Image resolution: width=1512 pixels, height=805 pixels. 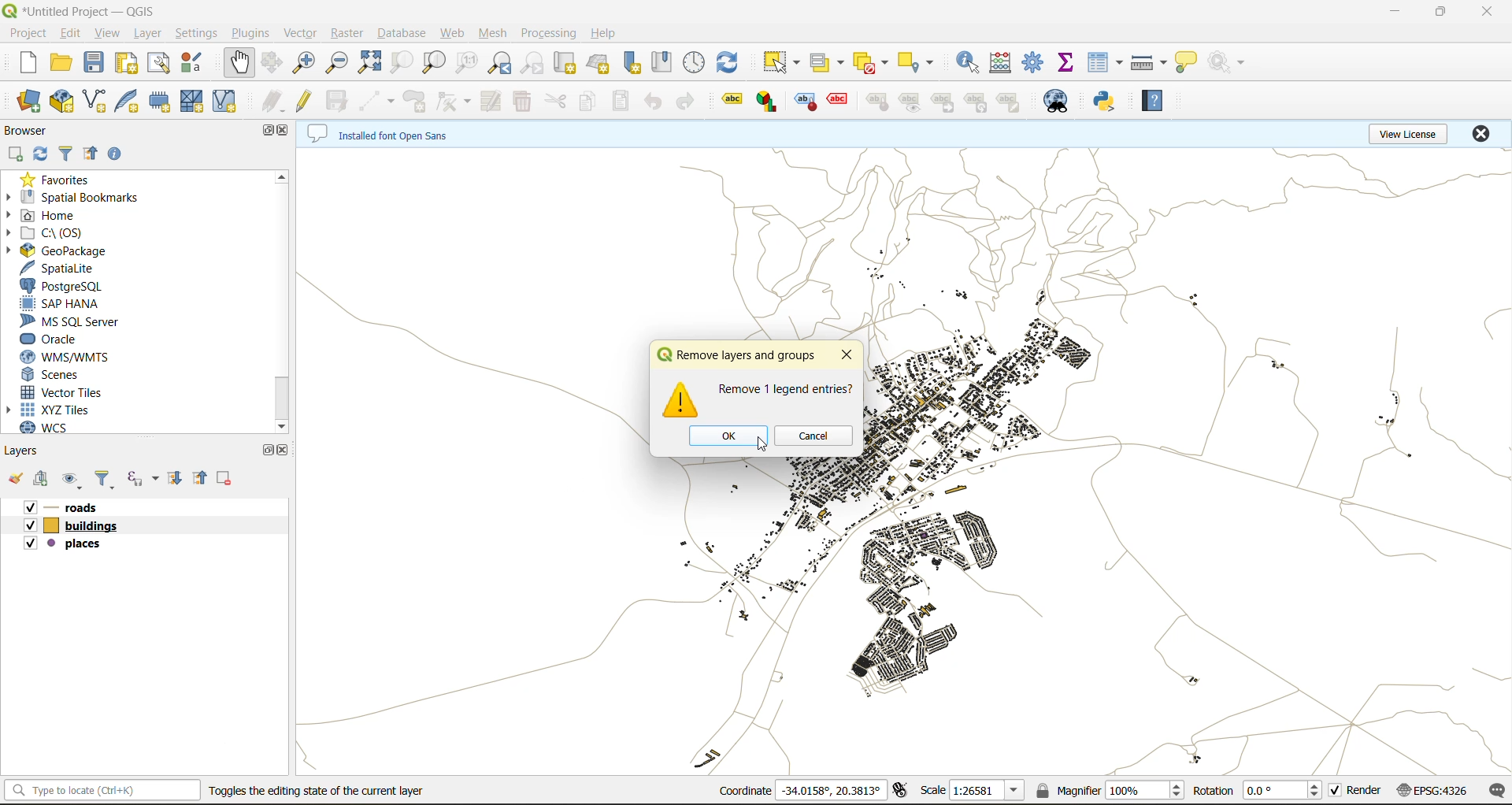 I want to click on project, so click(x=27, y=33).